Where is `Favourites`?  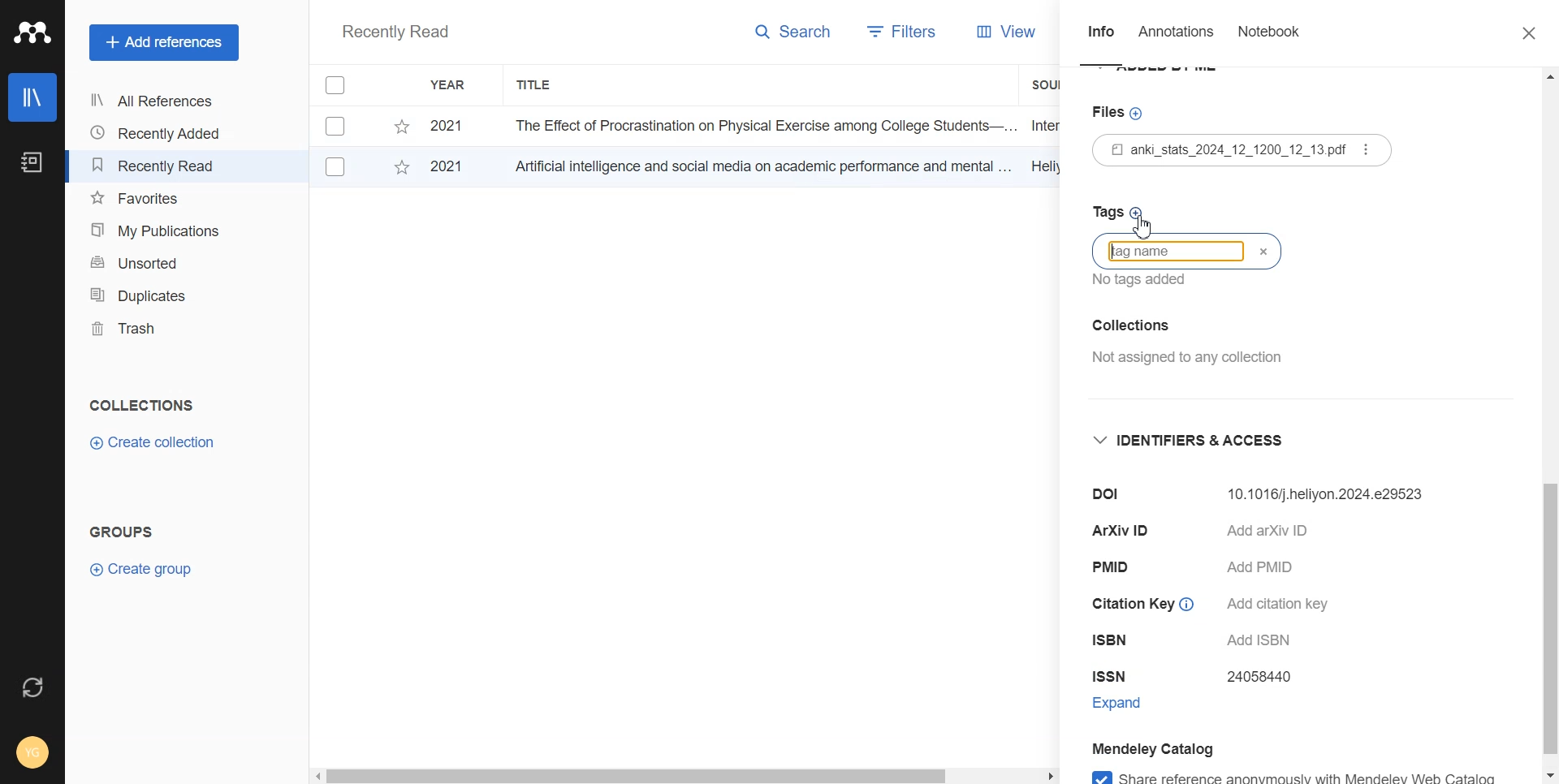
Favourites is located at coordinates (160, 199).